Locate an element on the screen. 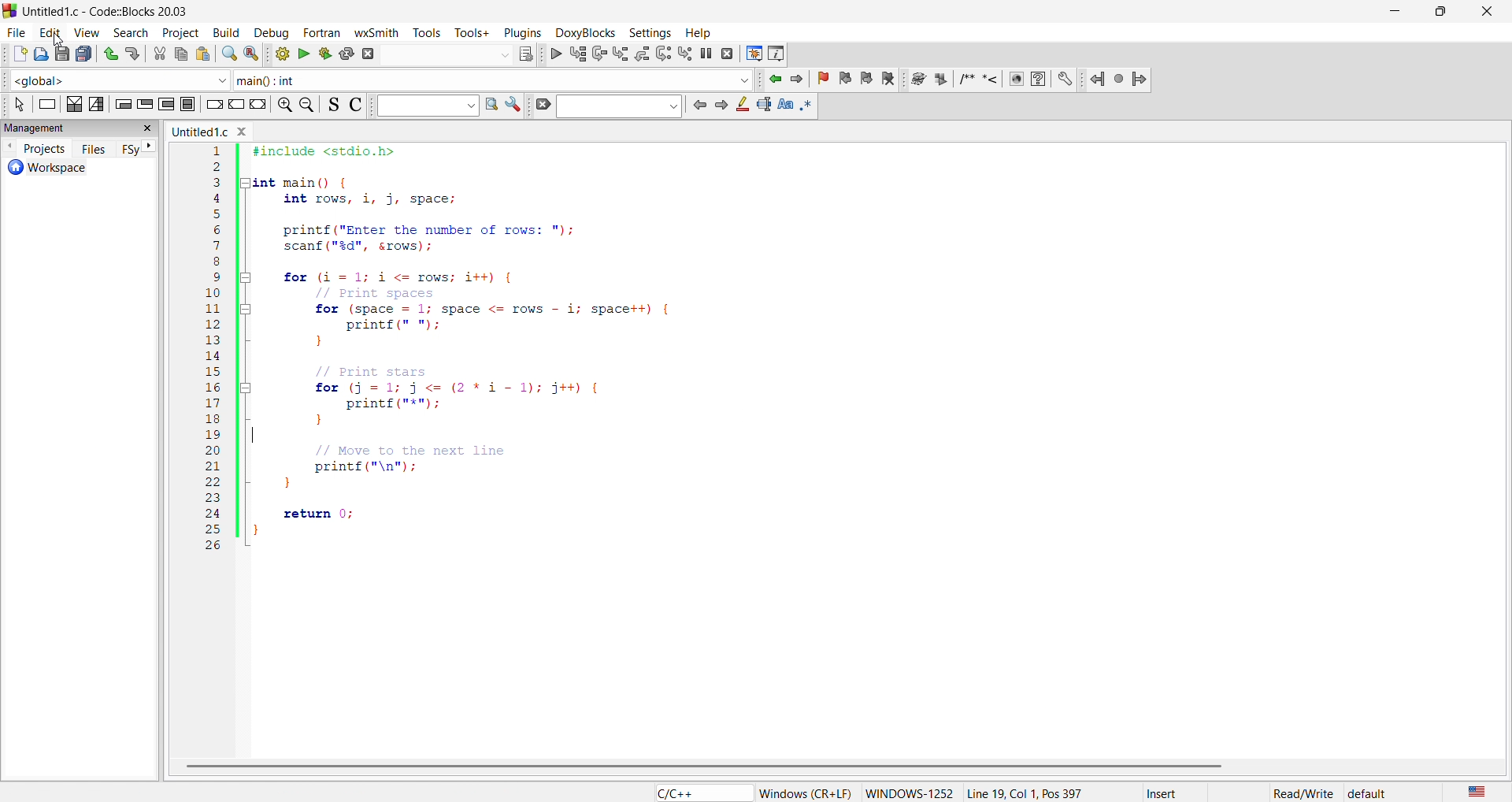 The height and width of the screenshot is (802, 1512). various info is located at coordinates (777, 53).